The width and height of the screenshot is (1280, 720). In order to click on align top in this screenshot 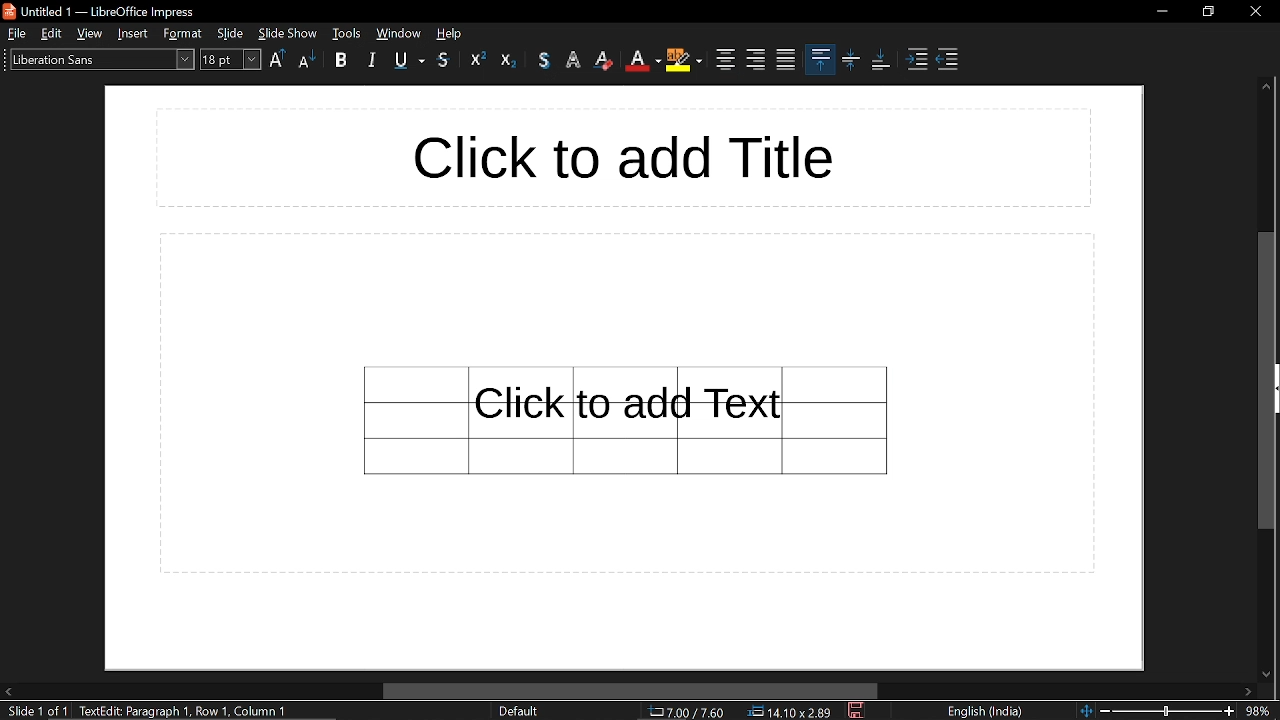, I will do `click(820, 58)`.